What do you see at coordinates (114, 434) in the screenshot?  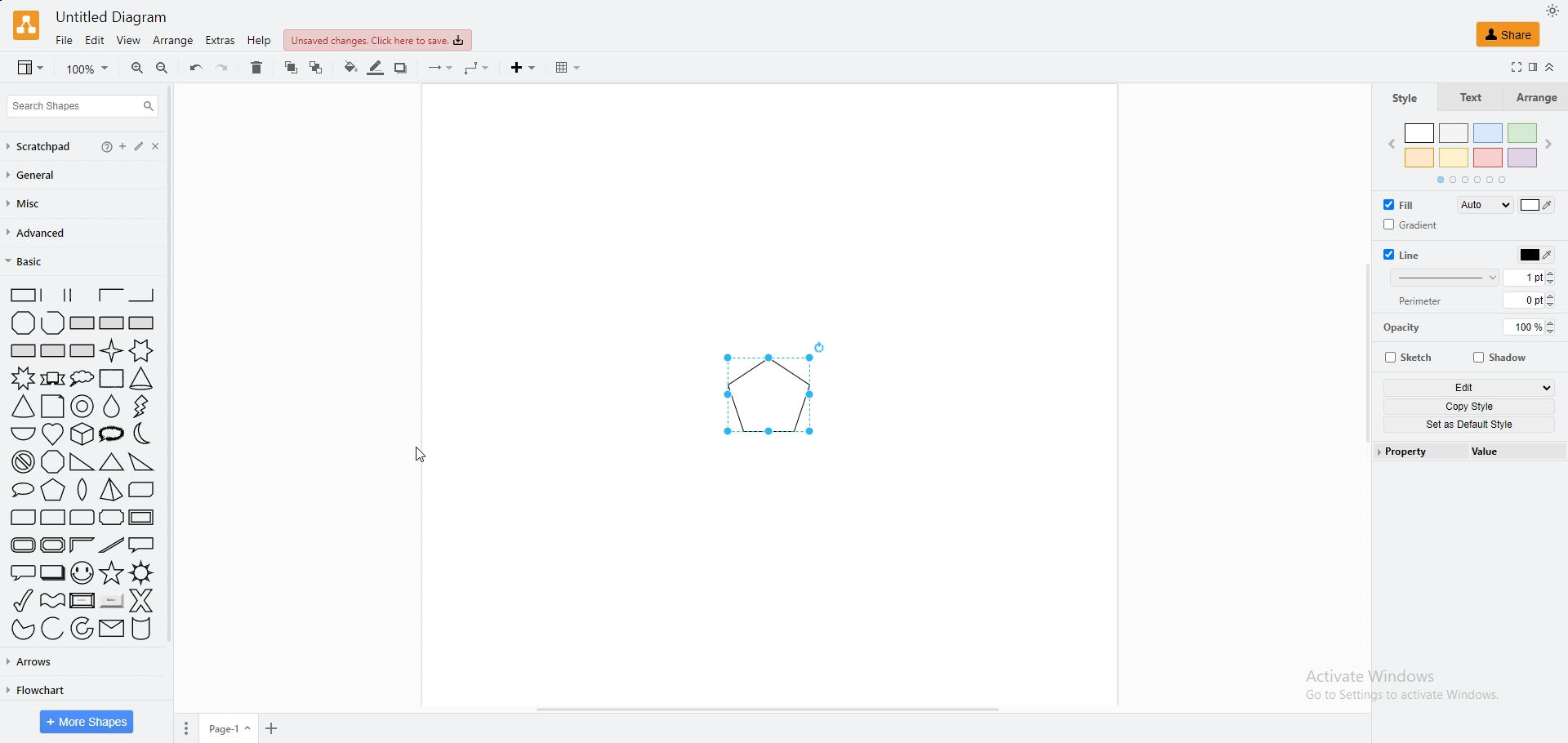 I see `loud callout` at bounding box center [114, 434].